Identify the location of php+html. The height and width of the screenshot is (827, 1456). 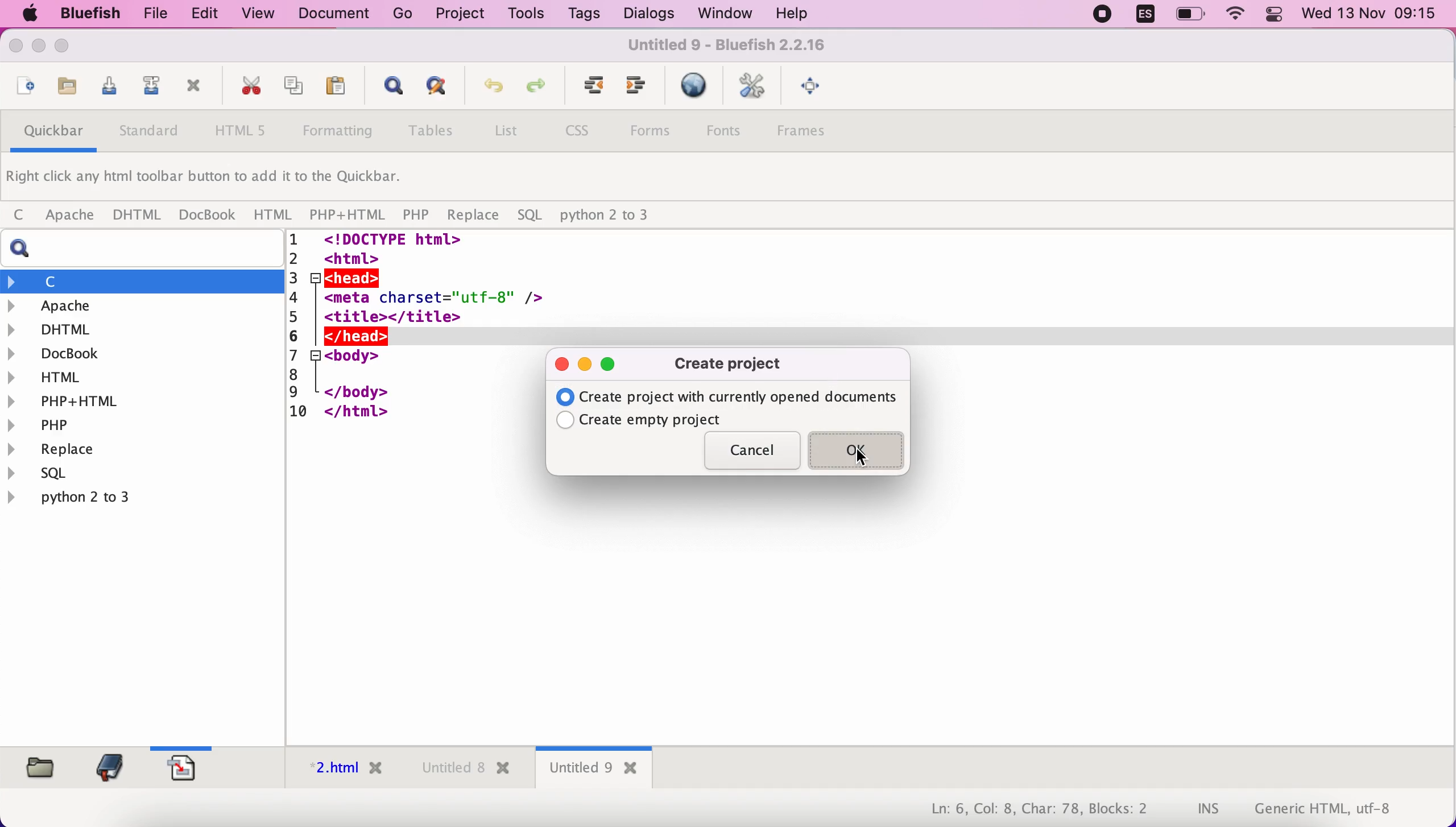
(141, 400).